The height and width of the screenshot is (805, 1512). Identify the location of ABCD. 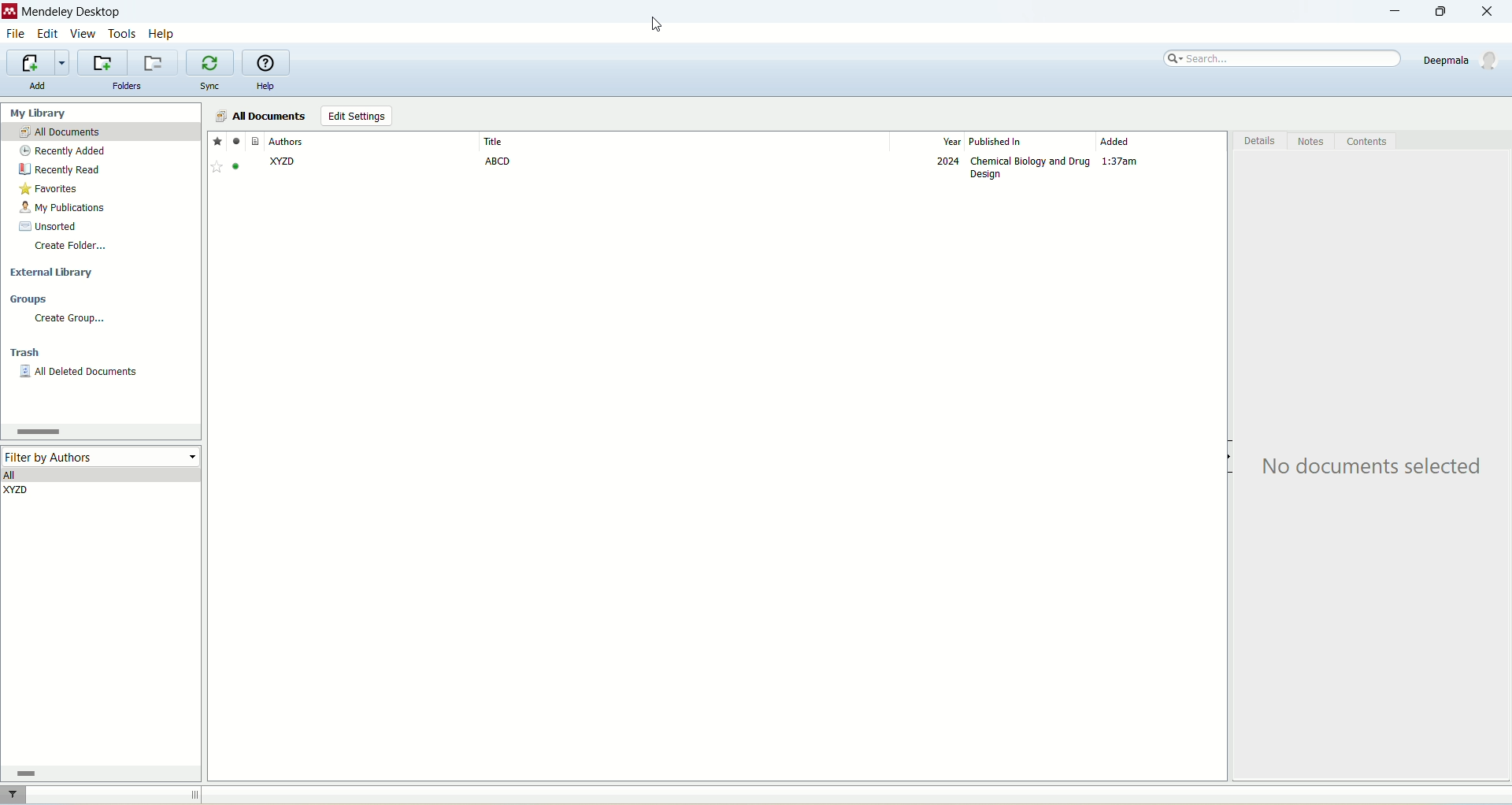
(501, 162).